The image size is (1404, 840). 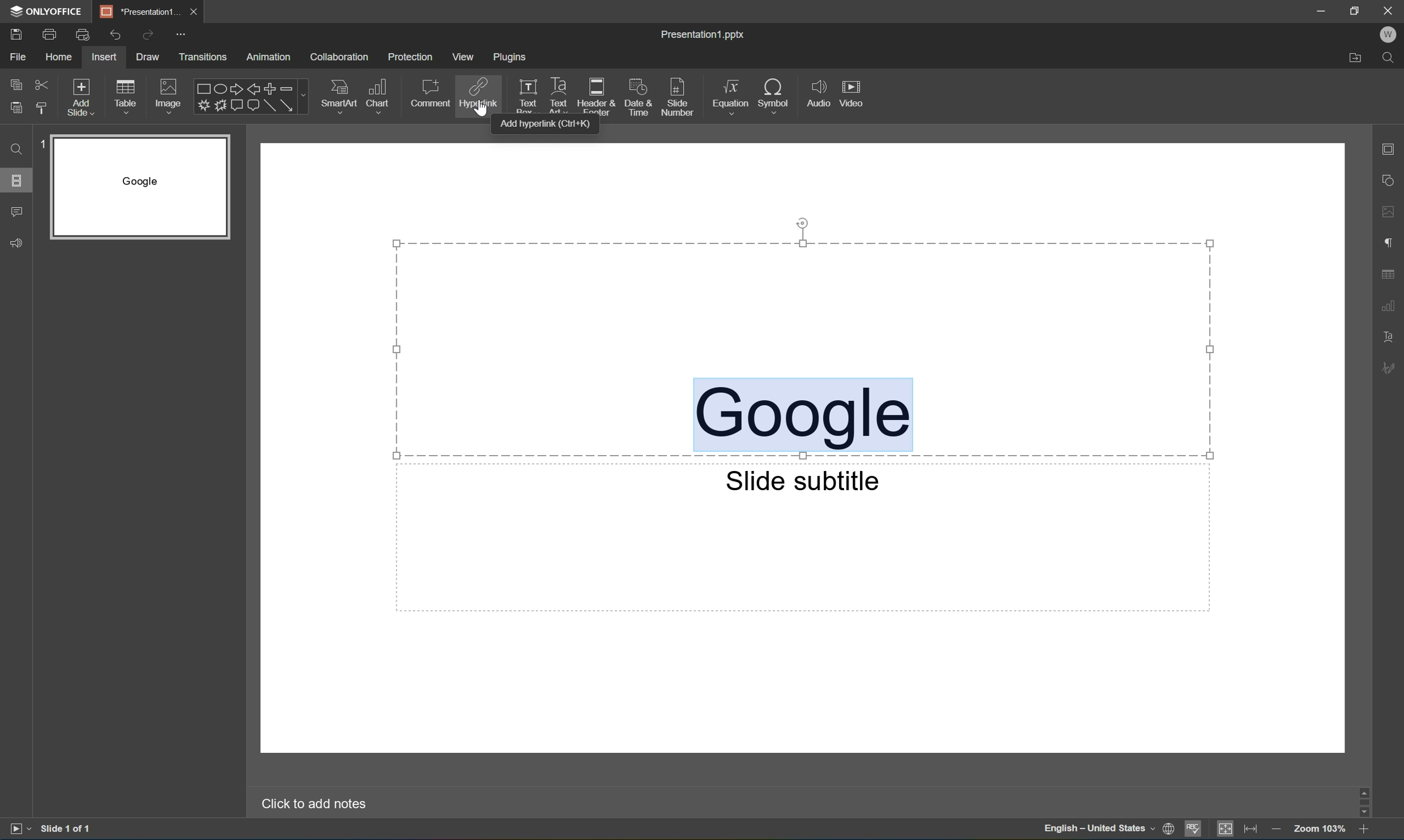 What do you see at coordinates (310, 805) in the screenshot?
I see `Click to add notes` at bounding box center [310, 805].